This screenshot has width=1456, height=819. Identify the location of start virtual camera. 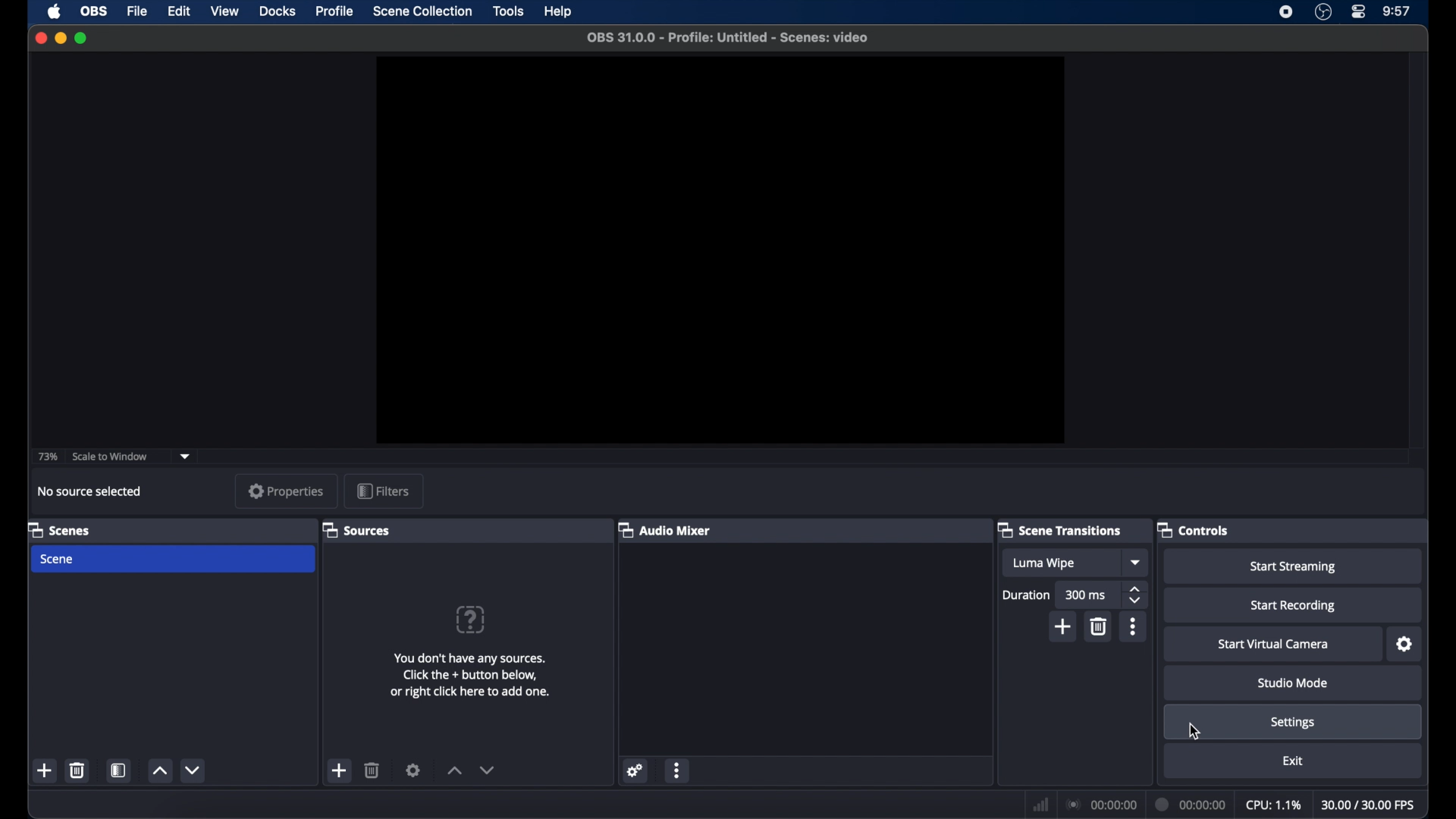
(1274, 645).